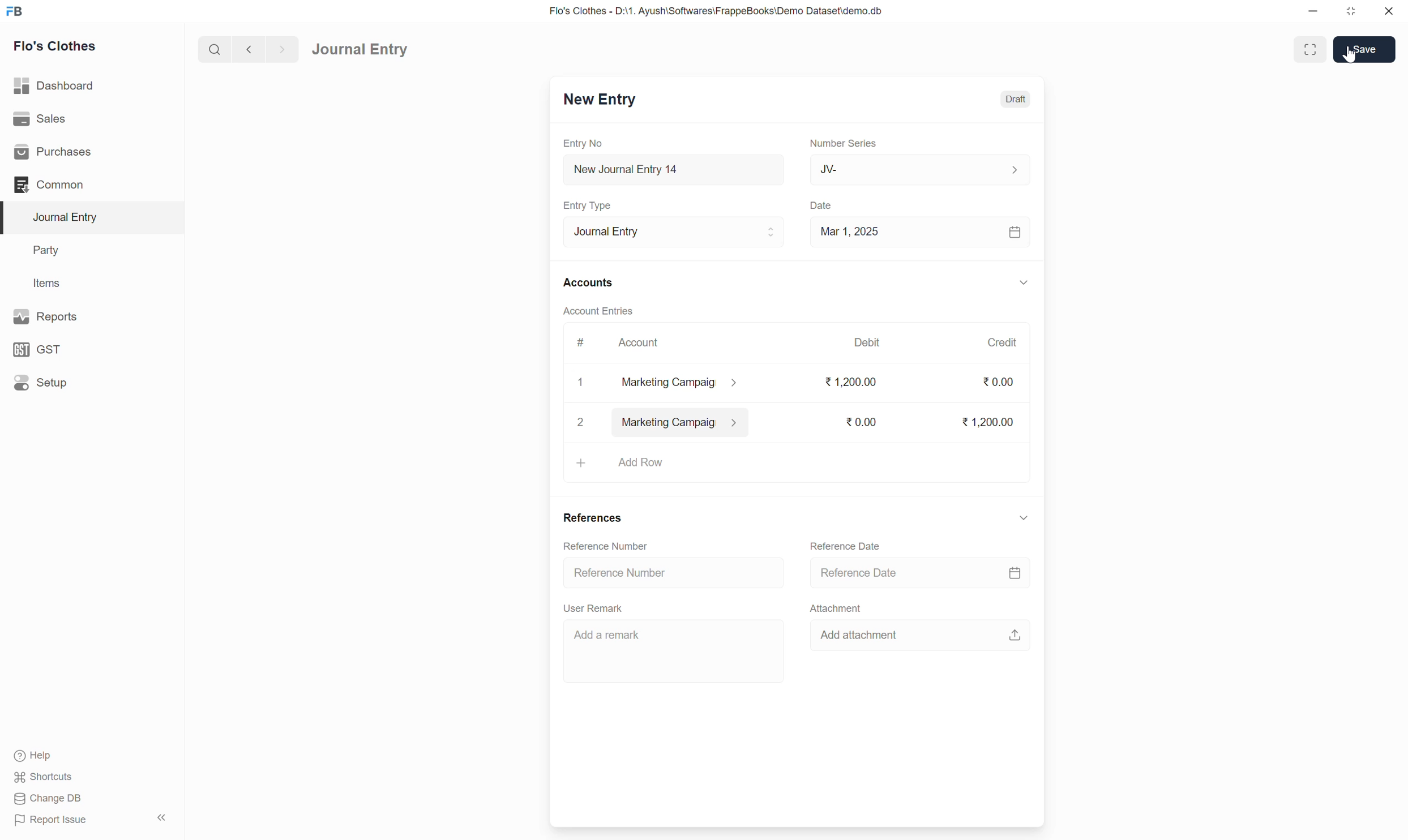 The height and width of the screenshot is (840, 1408). What do you see at coordinates (48, 798) in the screenshot?
I see `Change DB` at bounding box center [48, 798].